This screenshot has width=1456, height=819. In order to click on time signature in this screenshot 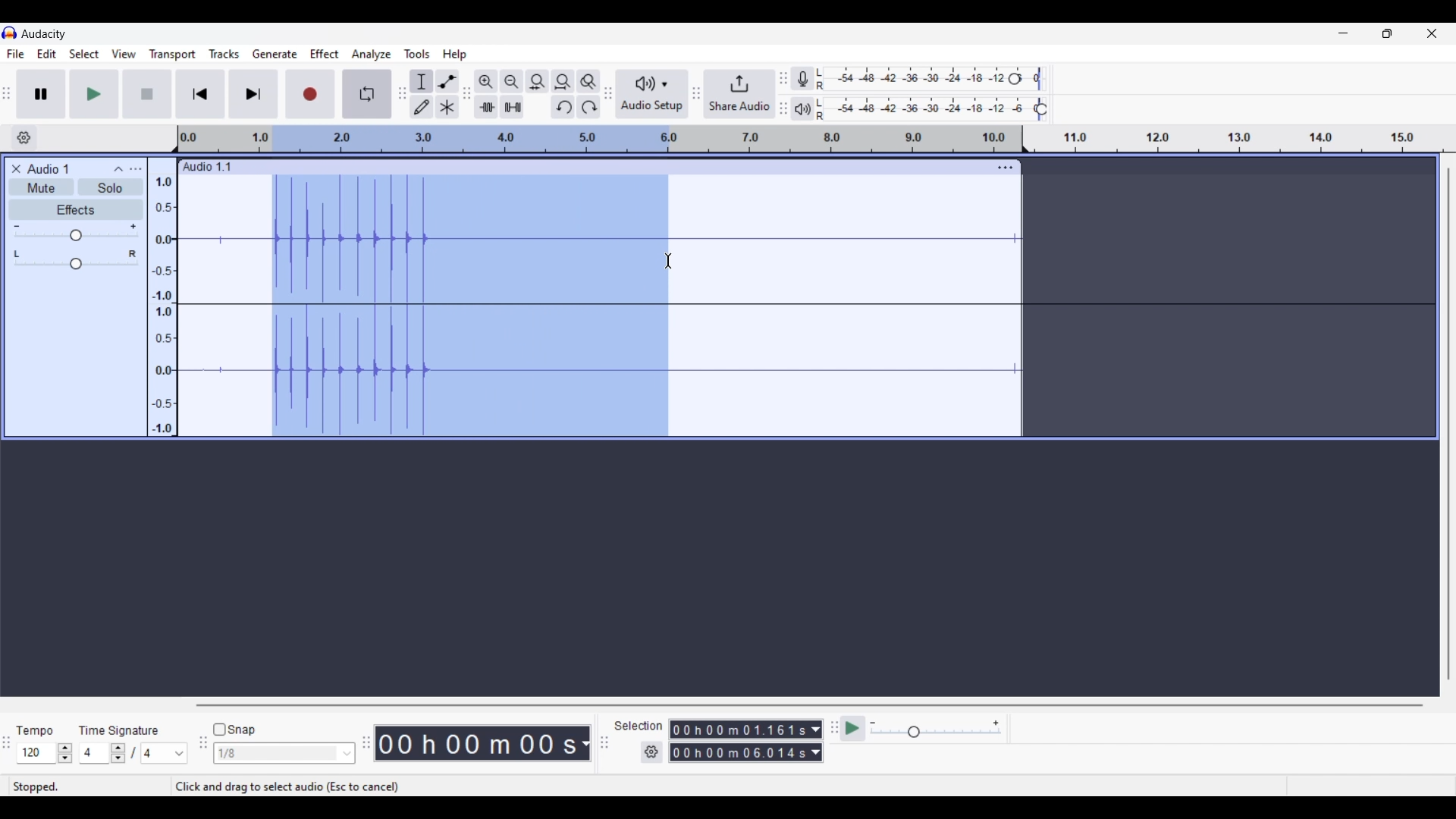, I will do `click(118, 733)`.